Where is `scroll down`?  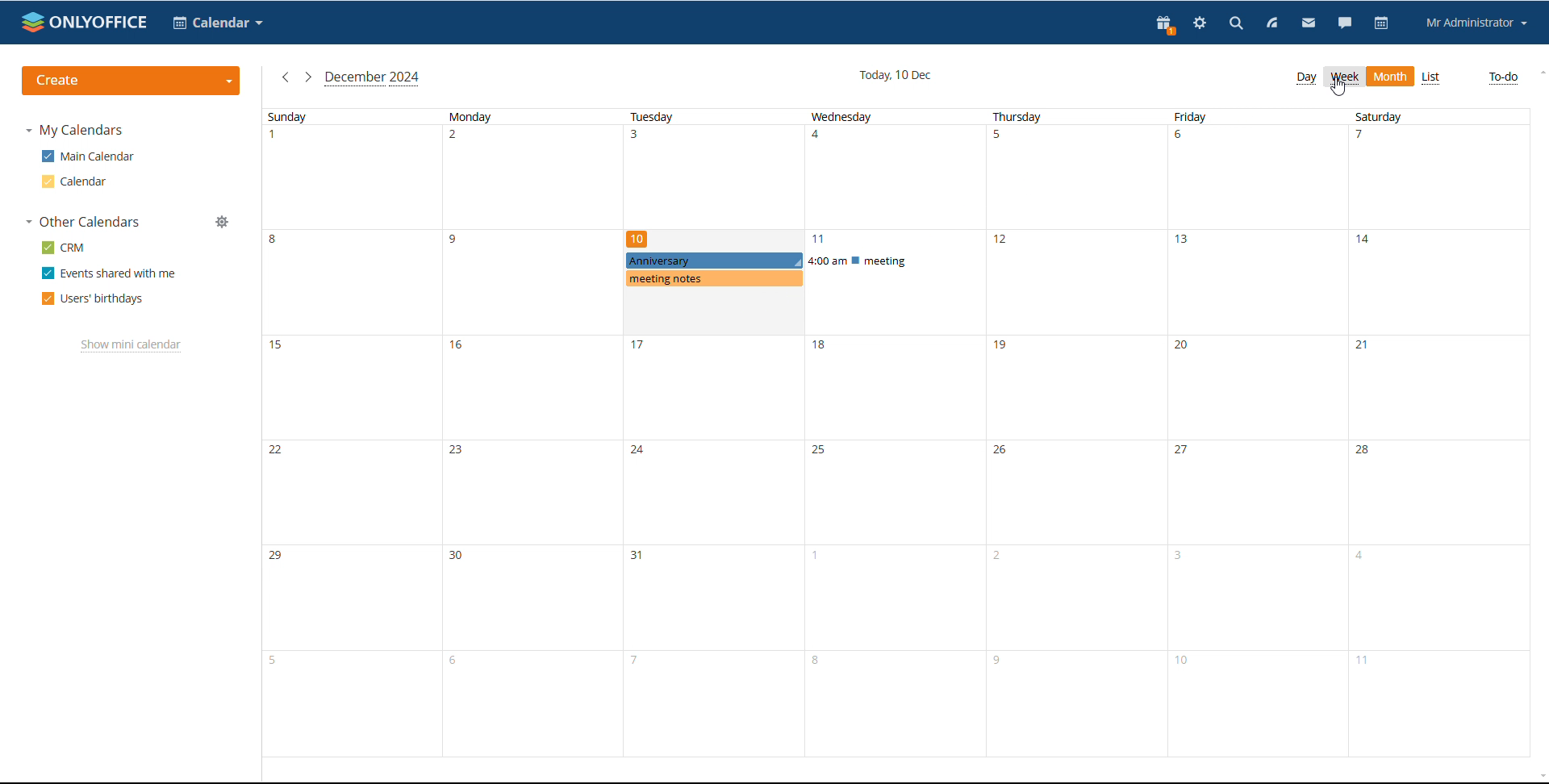
scroll down is located at coordinates (1535, 772).